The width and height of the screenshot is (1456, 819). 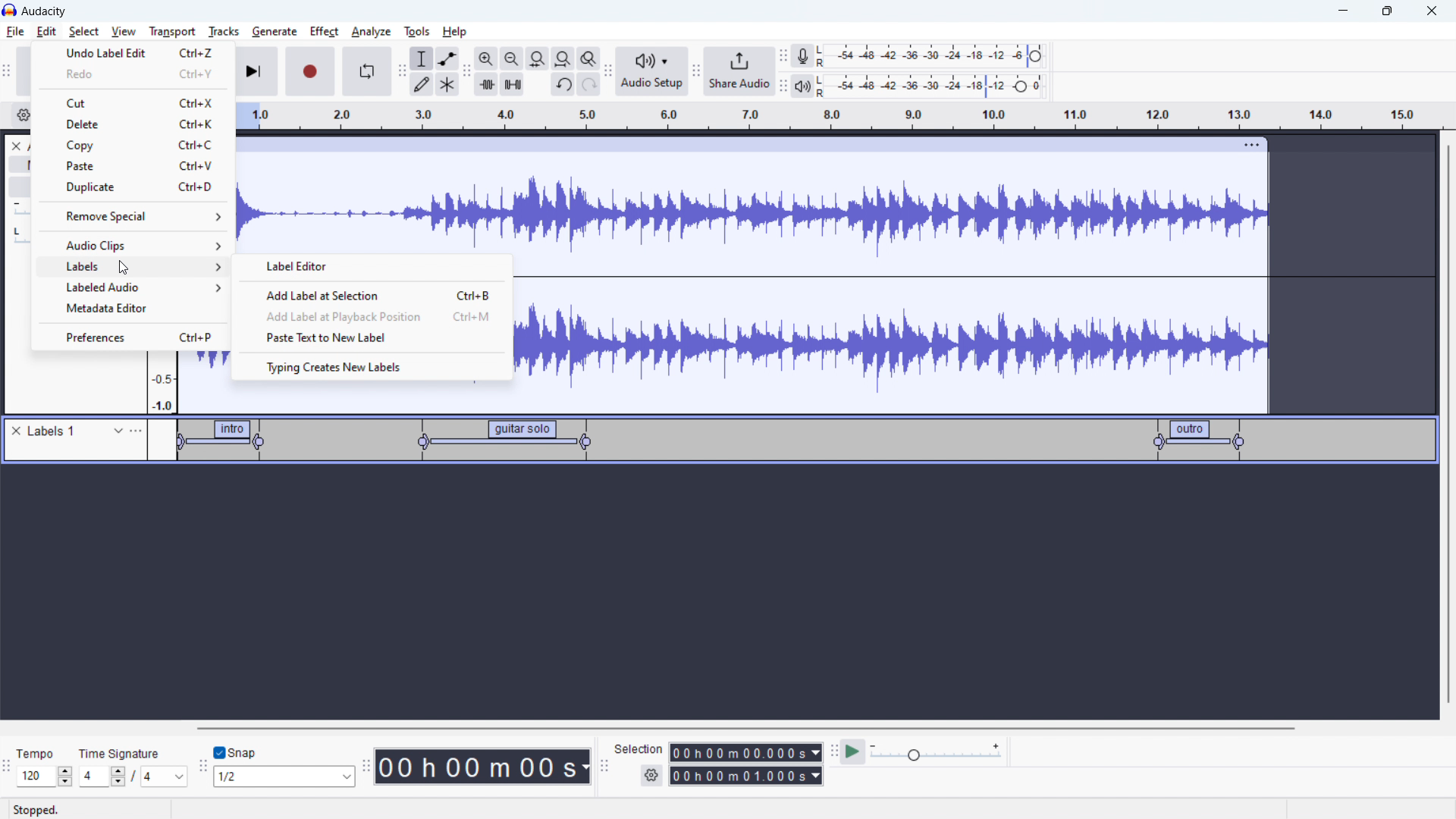 I want to click on generate, so click(x=275, y=31).